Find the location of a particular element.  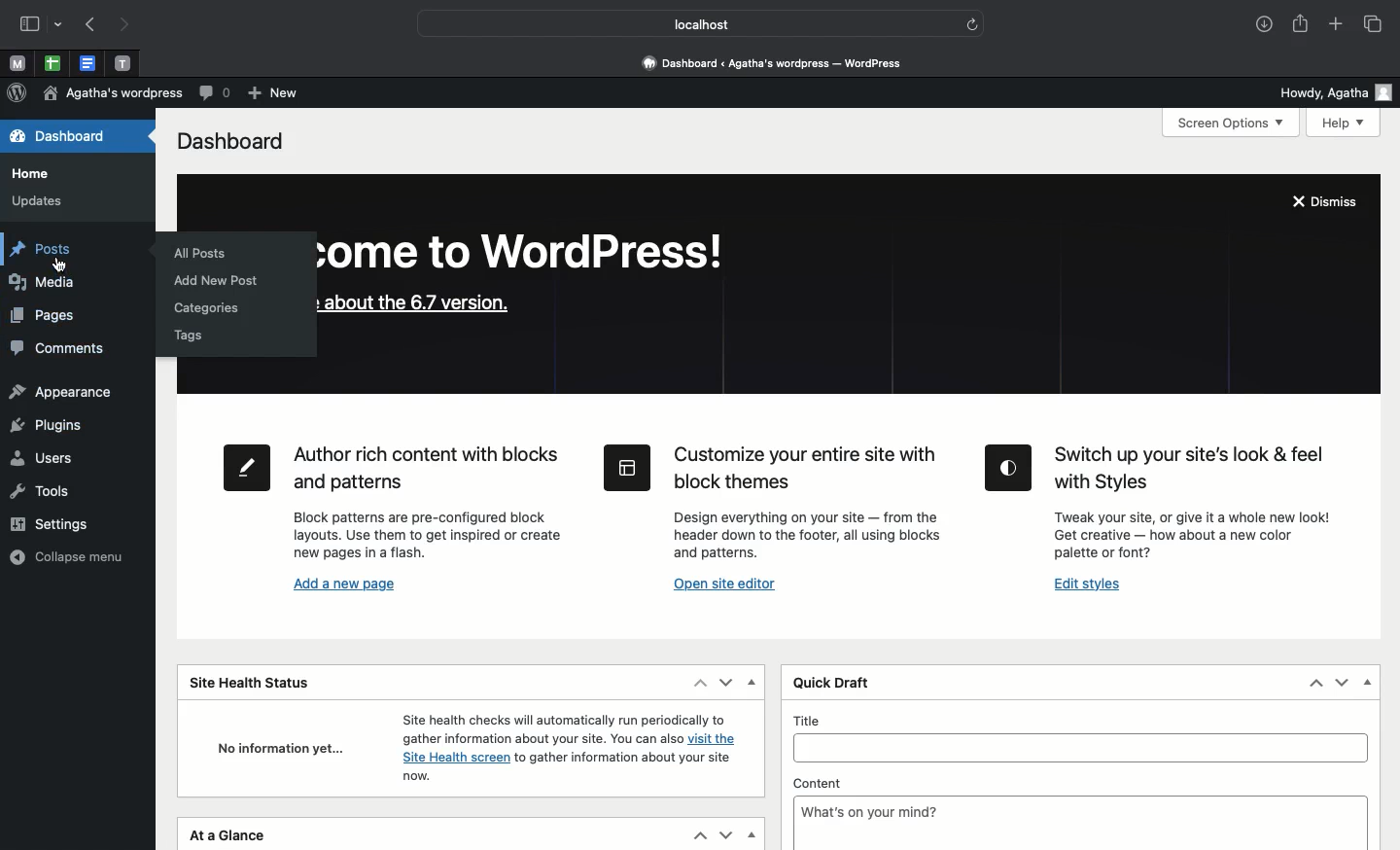

Open site editor is located at coordinates (731, 586).